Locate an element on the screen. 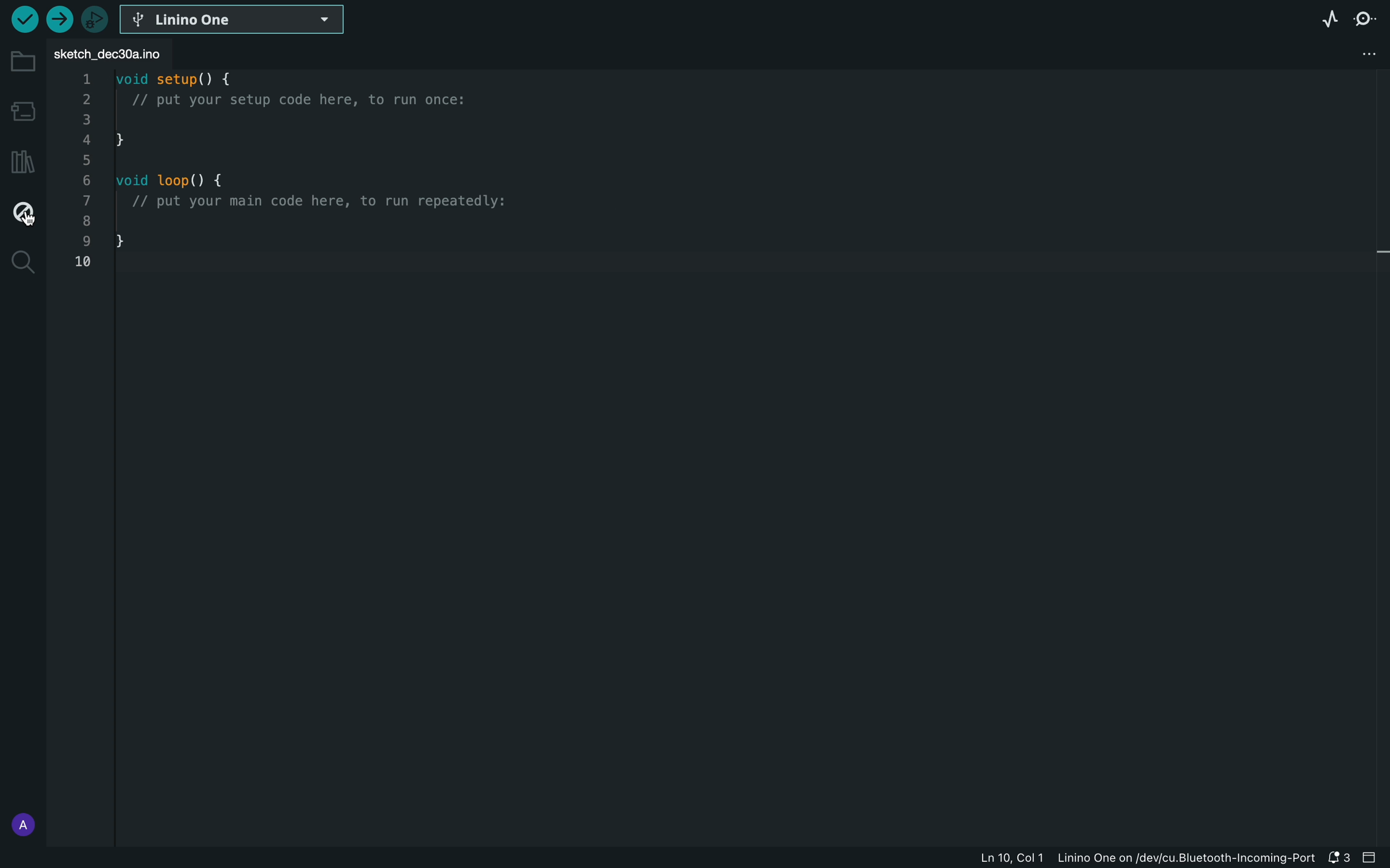 The image size is (1390, 868). debug is located at coordinates (23, 214).